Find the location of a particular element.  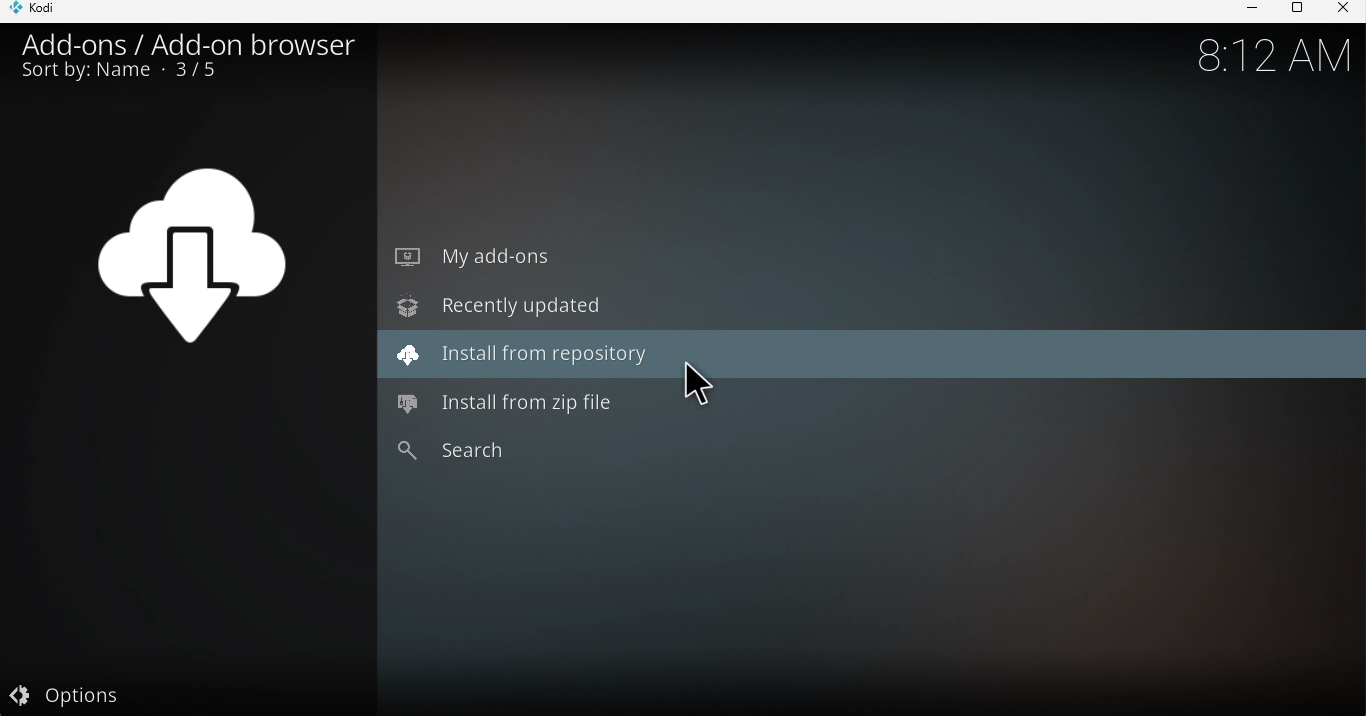

Search  is located at coordinates (866, 448).